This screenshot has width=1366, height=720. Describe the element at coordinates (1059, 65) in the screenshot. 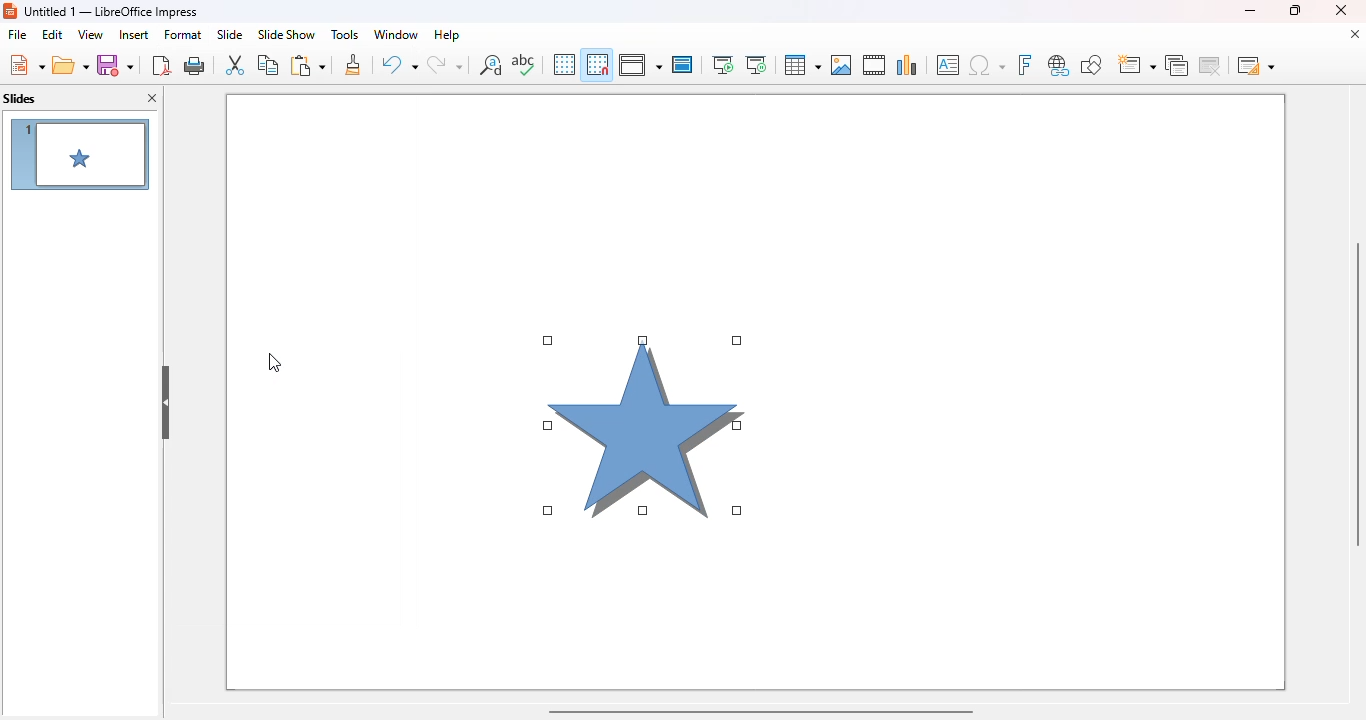

I see `insert hyperlink` at that location.